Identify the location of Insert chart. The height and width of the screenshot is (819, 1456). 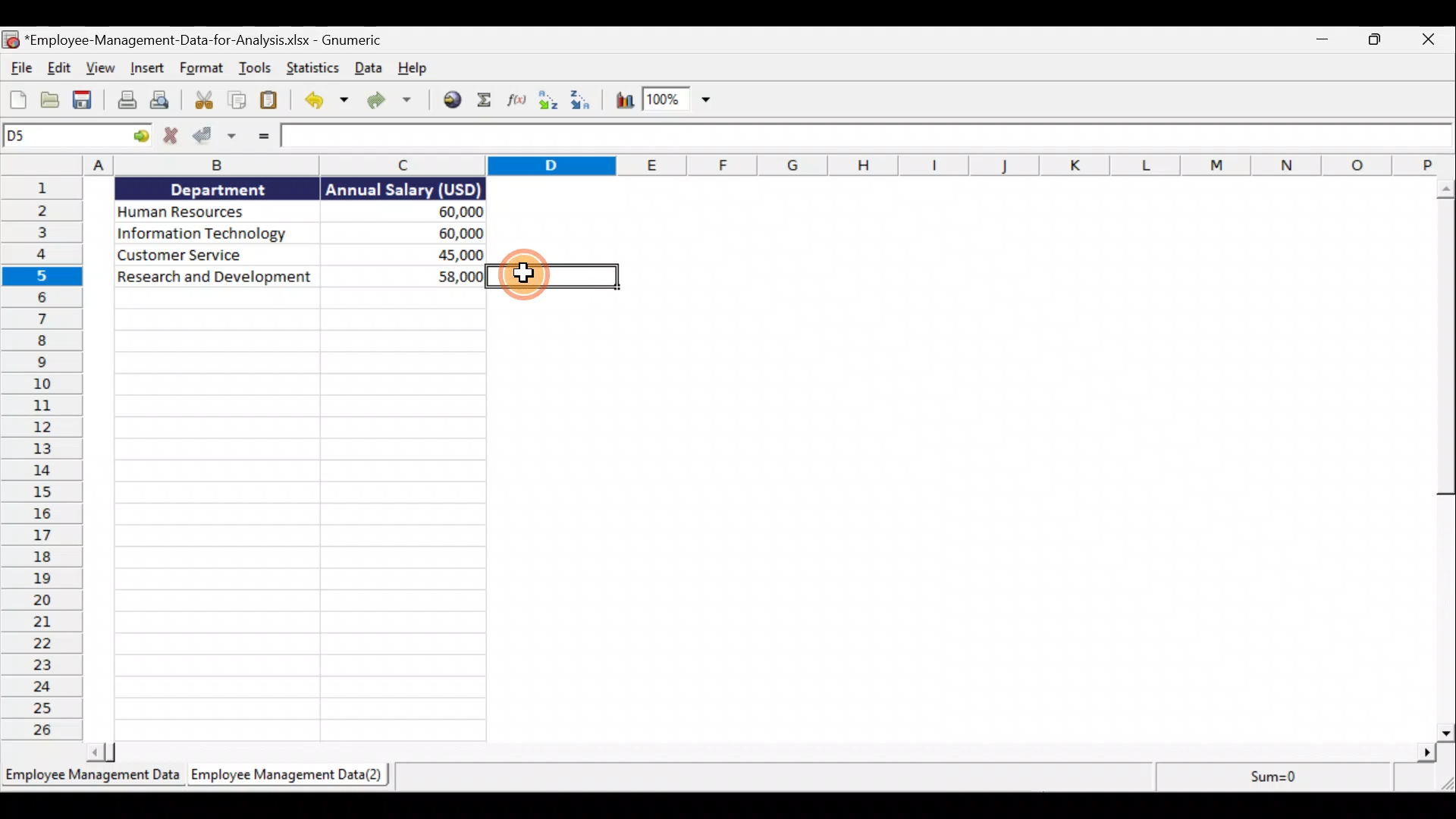
(626, 102).